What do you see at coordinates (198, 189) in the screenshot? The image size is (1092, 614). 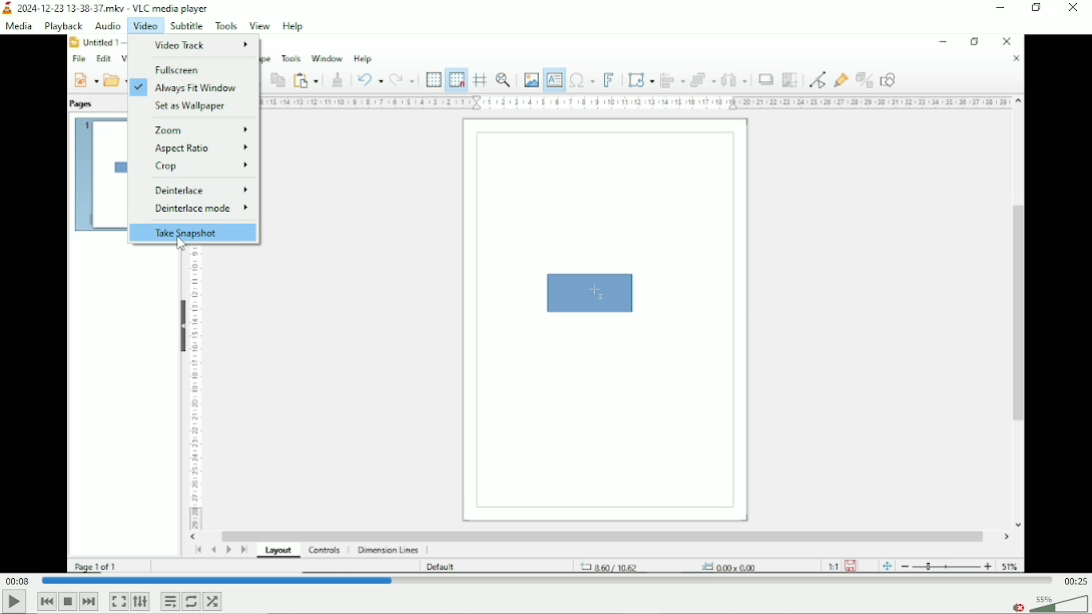 I see `Deinterlace` at bounding box center [198, 189].